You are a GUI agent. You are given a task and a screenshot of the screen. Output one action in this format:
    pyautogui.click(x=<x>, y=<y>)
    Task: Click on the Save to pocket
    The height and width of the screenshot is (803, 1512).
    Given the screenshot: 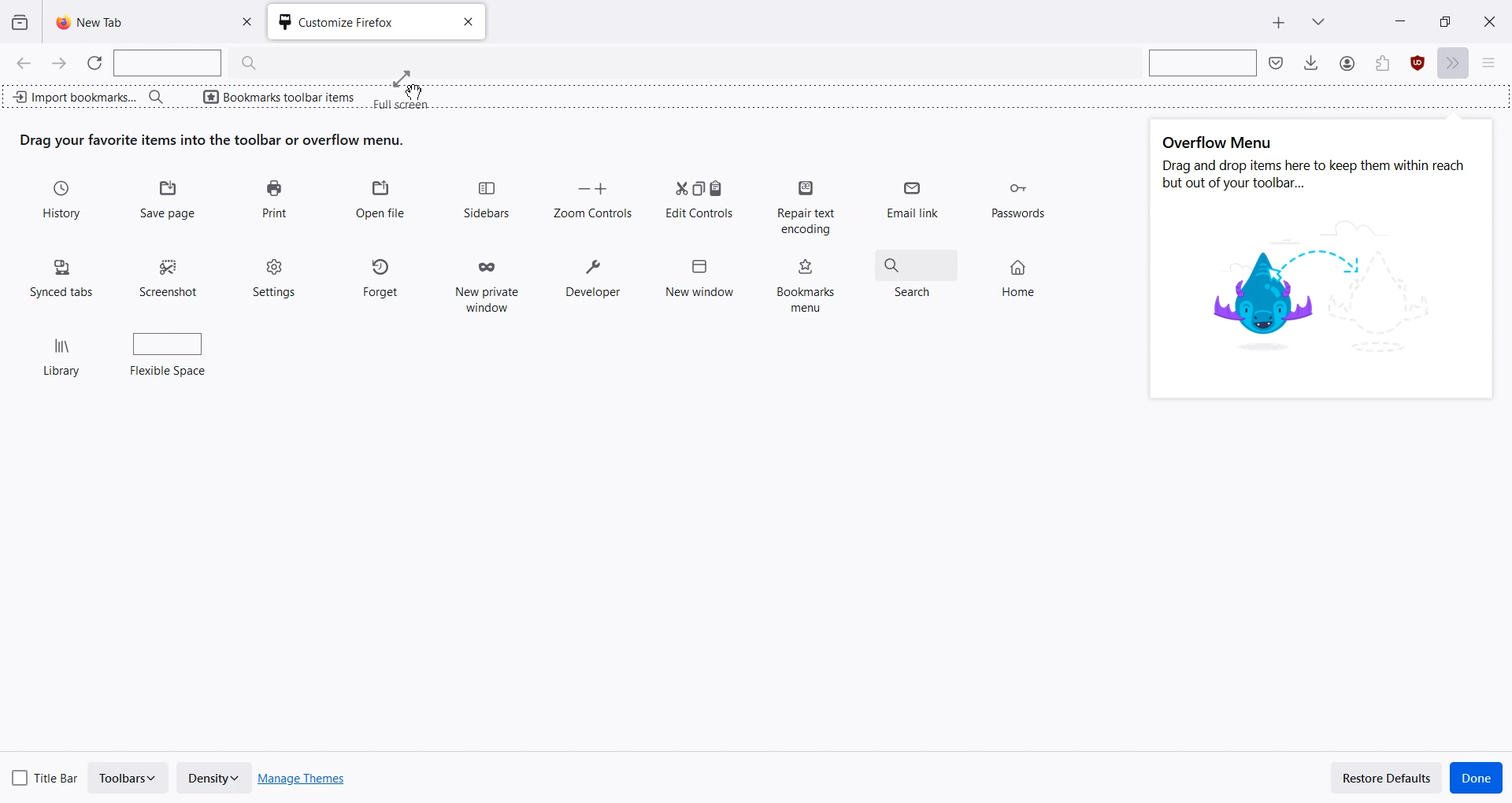 What is the action you would take?
    pyautogui.click(x=1277, y=62)
    